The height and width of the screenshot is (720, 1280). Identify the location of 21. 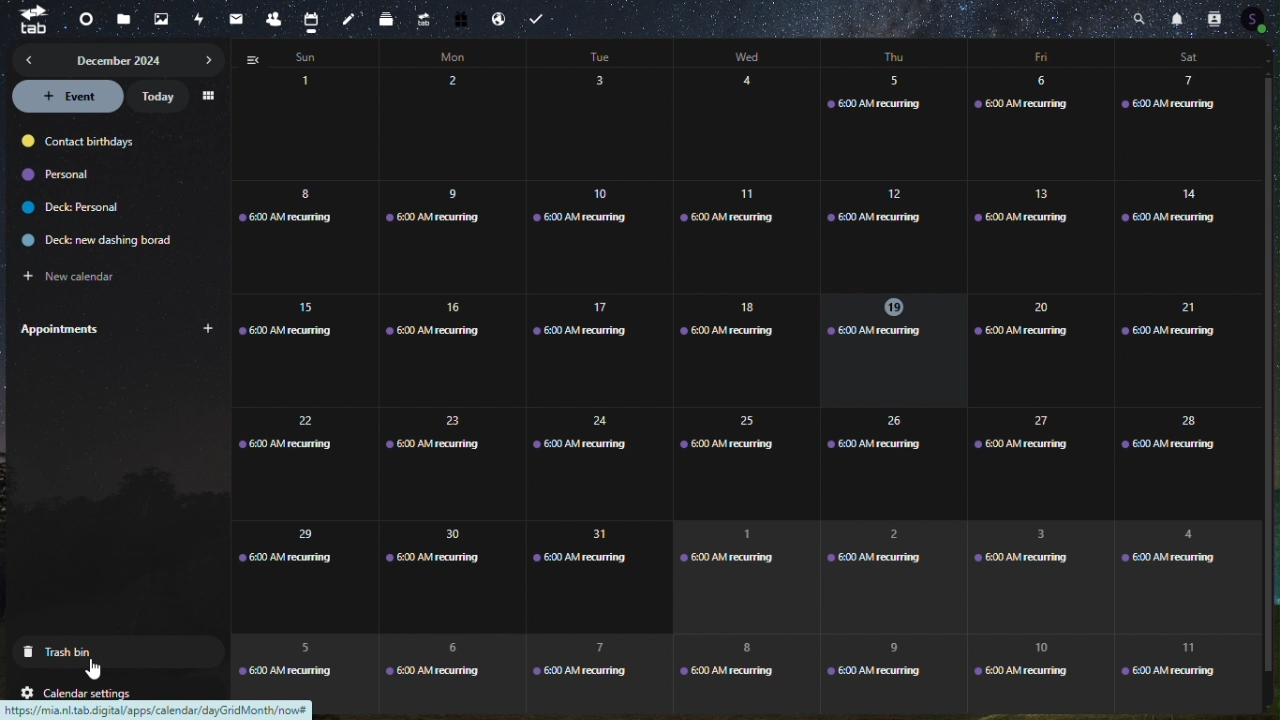
(1174, 346).